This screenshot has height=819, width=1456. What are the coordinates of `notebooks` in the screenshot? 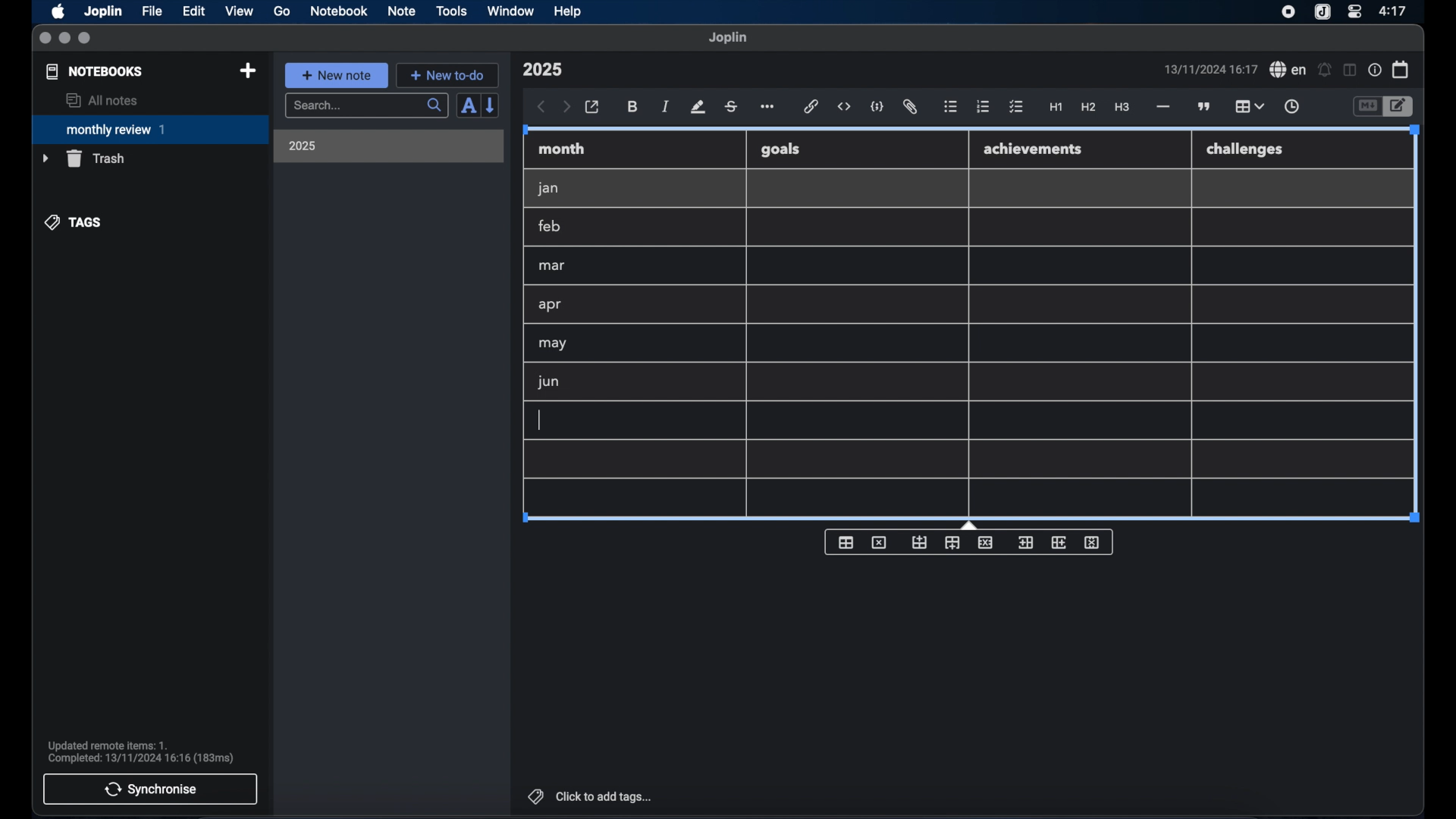 It's located at (95, 71).